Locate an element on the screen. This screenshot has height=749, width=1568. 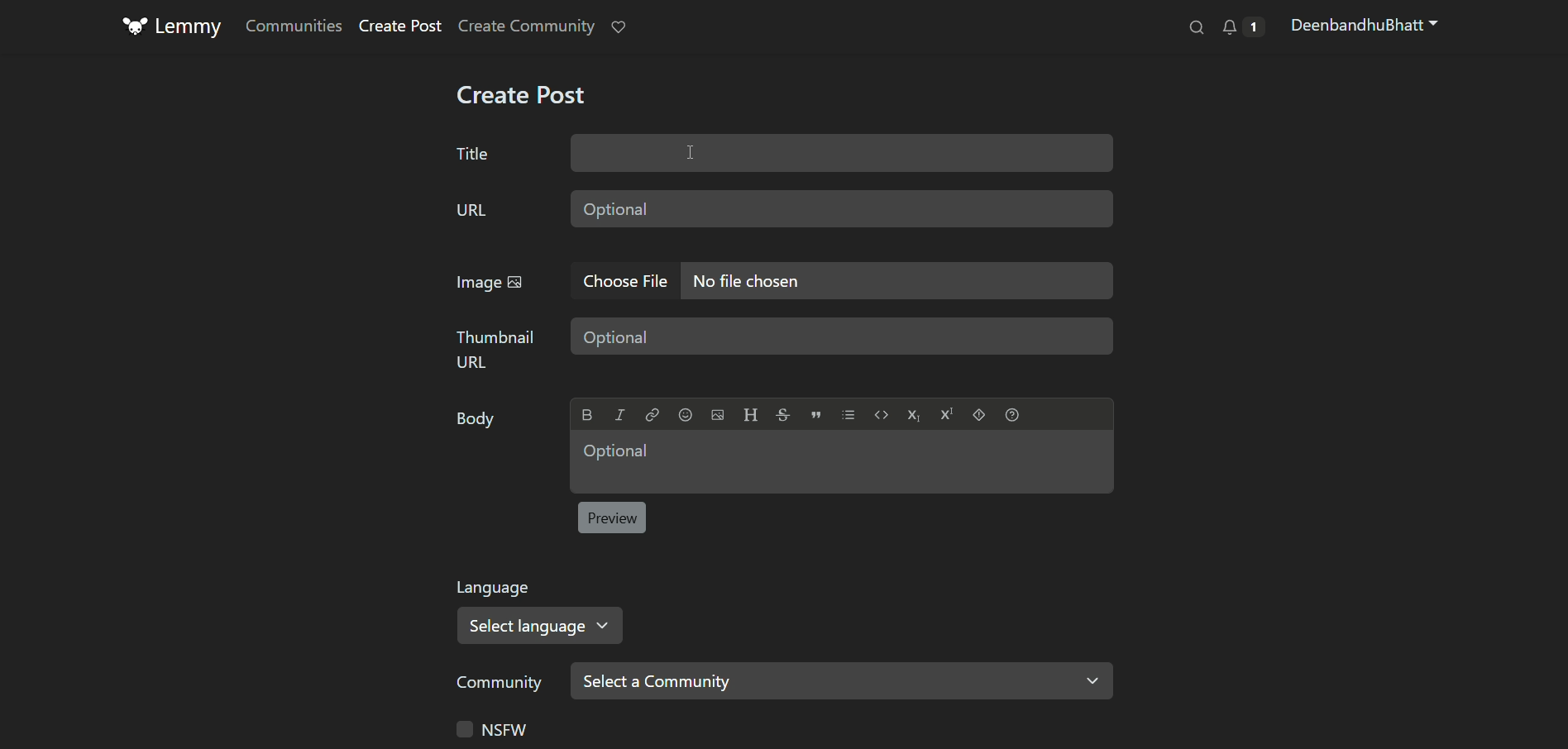
Code is located at coordinates (882, 415).